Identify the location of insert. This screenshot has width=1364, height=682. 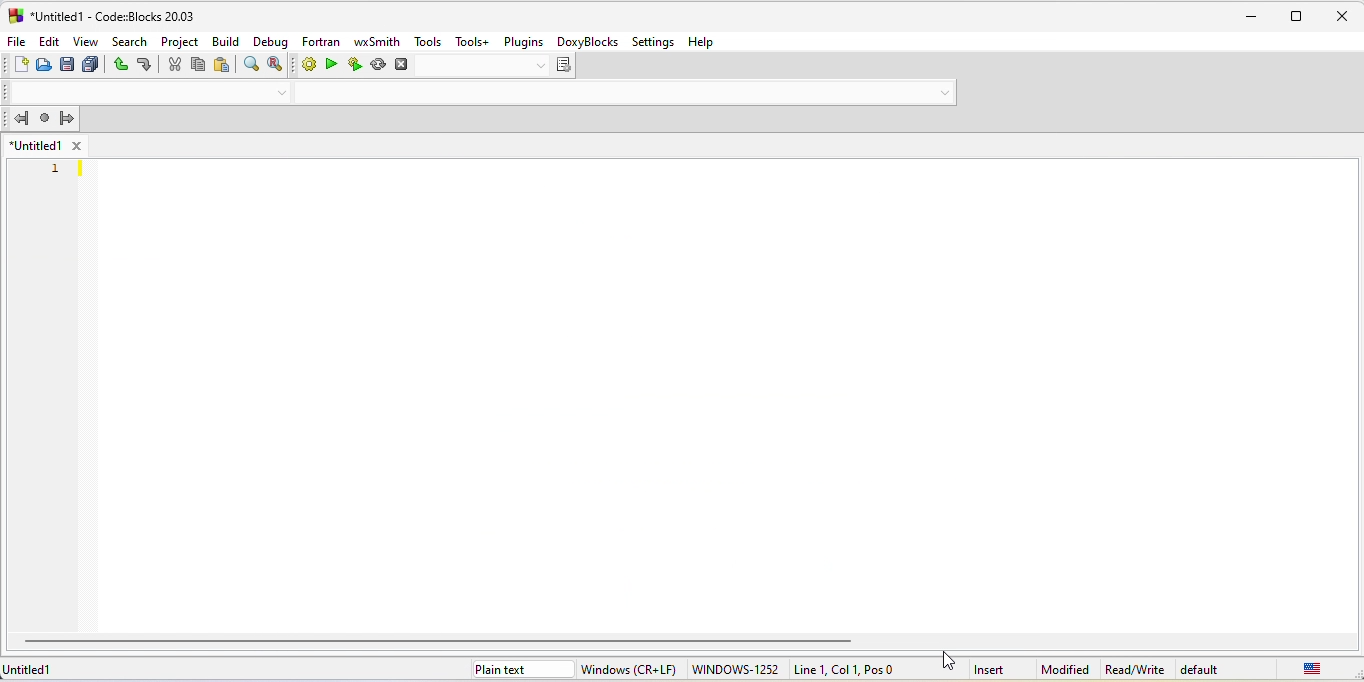
(989, 670).